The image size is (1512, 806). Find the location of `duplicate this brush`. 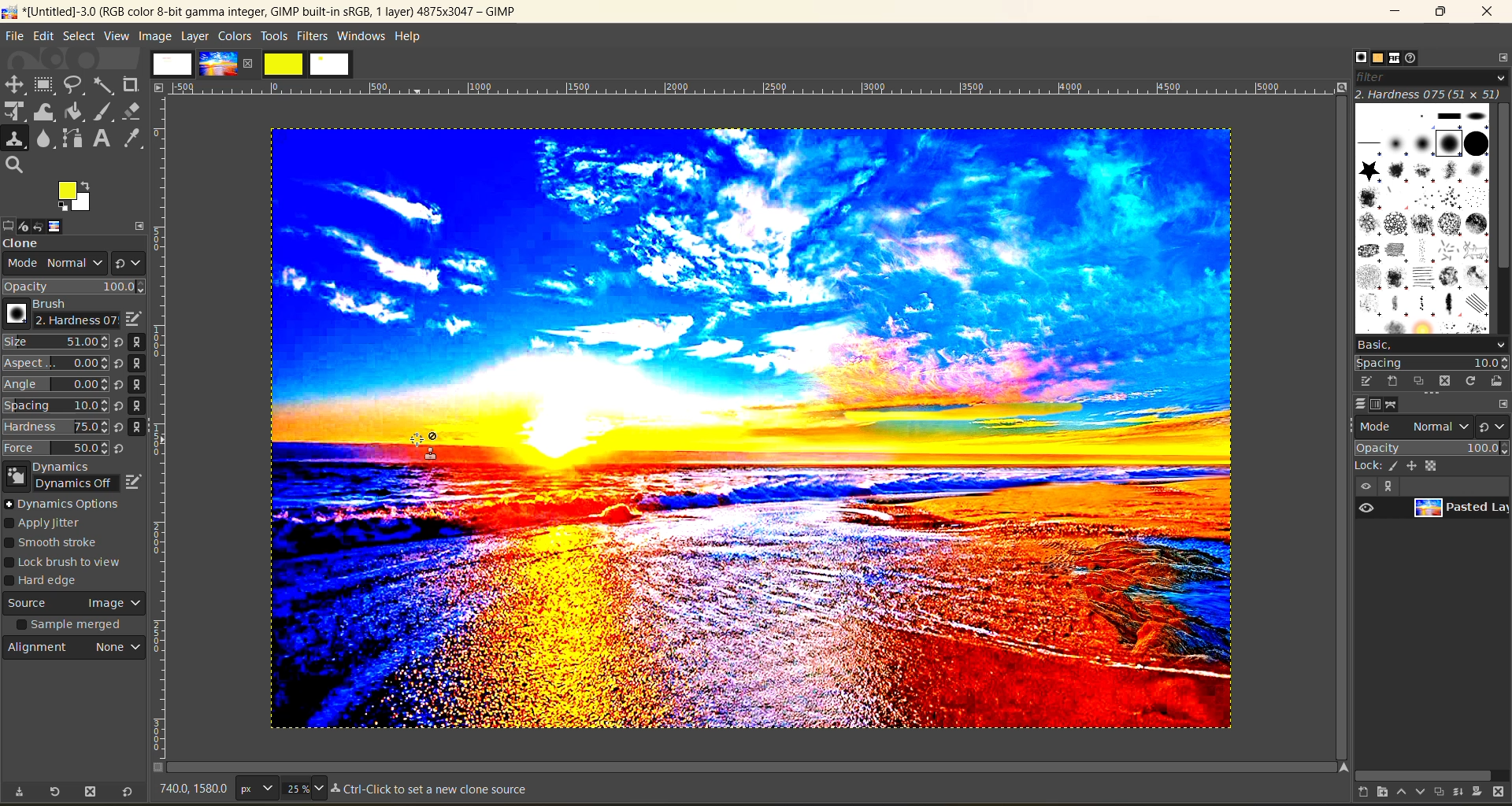

duplicate this brush is located at coordinates (1420, 382).